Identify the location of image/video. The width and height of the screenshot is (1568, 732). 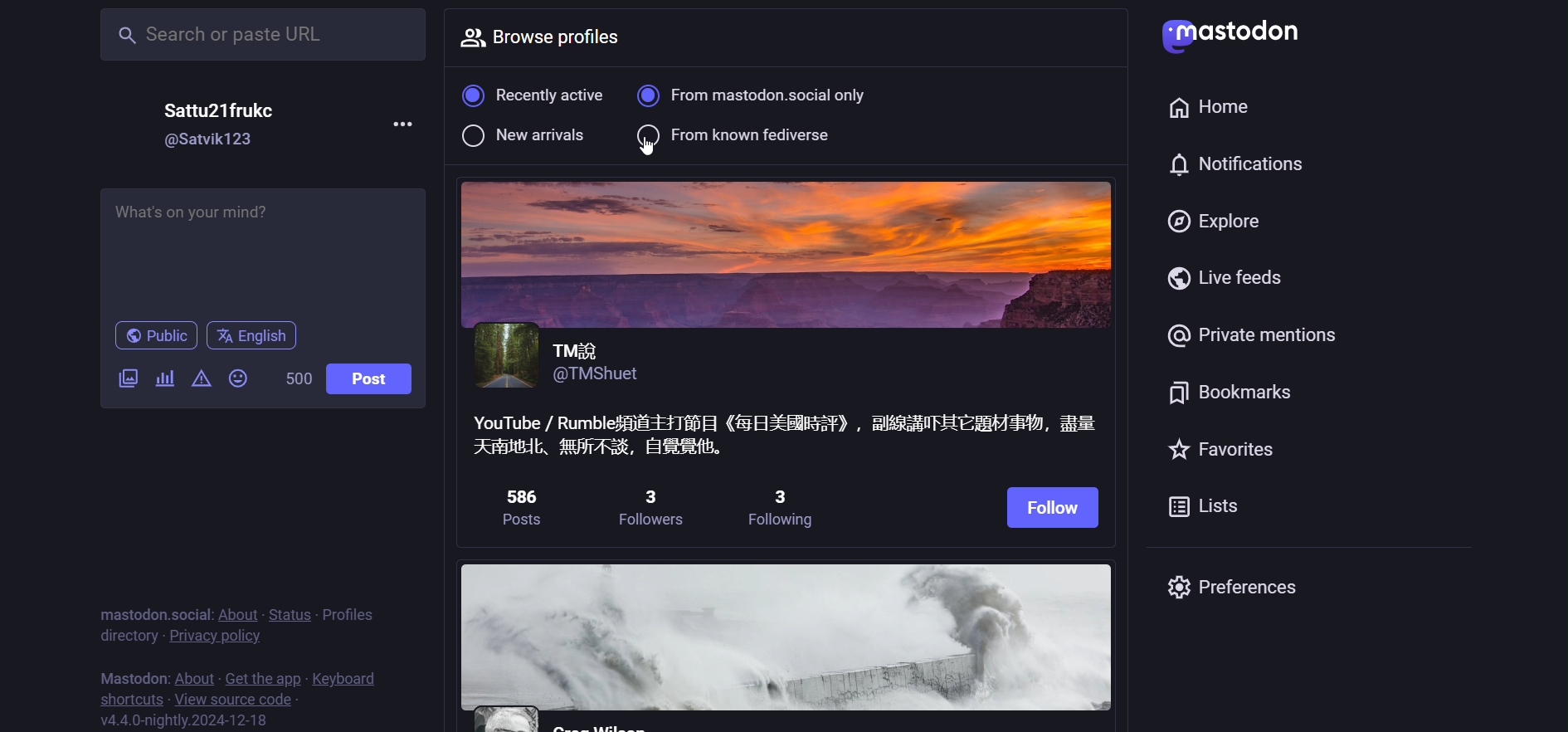
(129, 378).